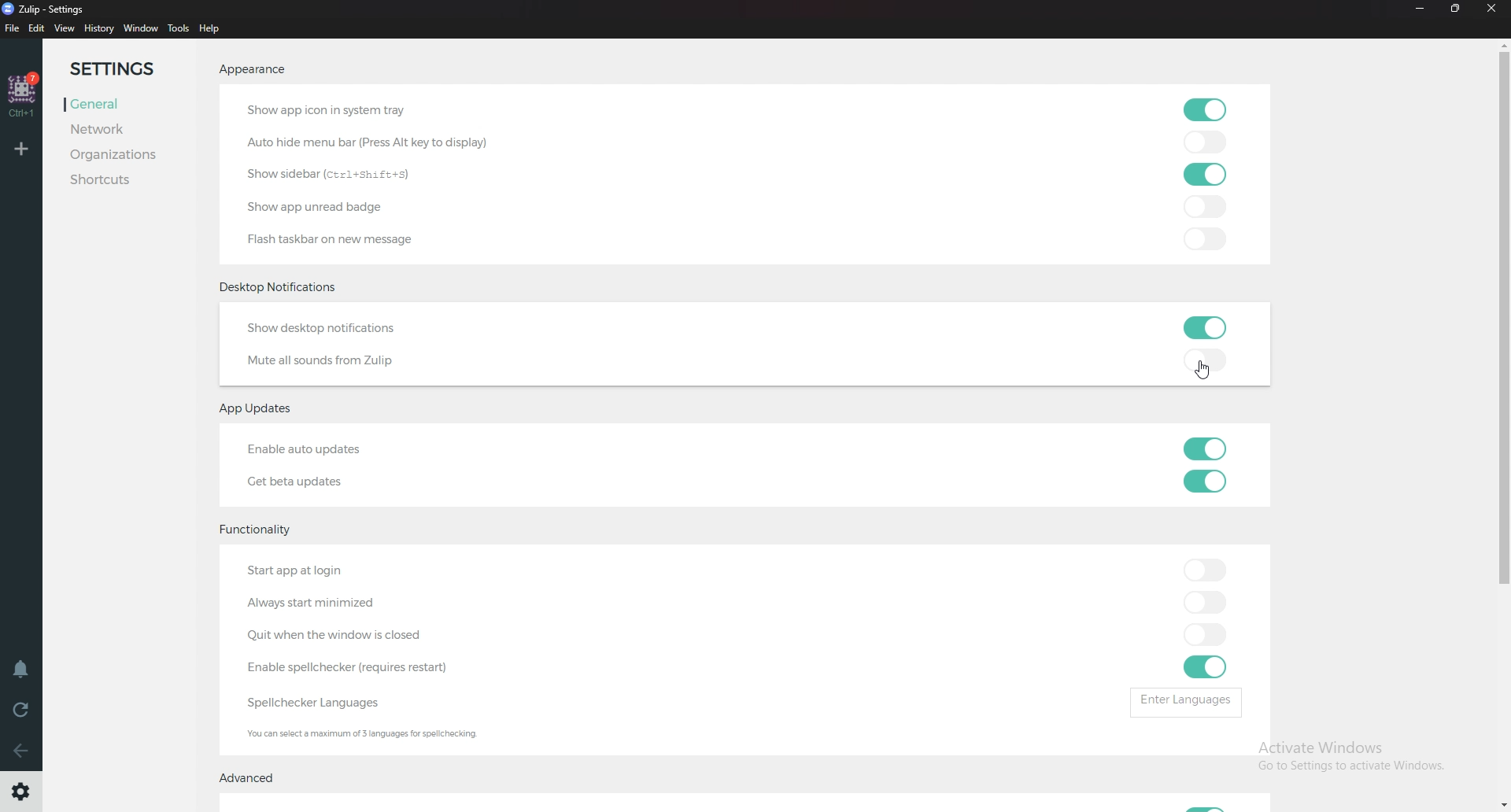  Describe the element at coordinates (331, 110) in the screenshot. I see `Show app icon in system tray` at that location.